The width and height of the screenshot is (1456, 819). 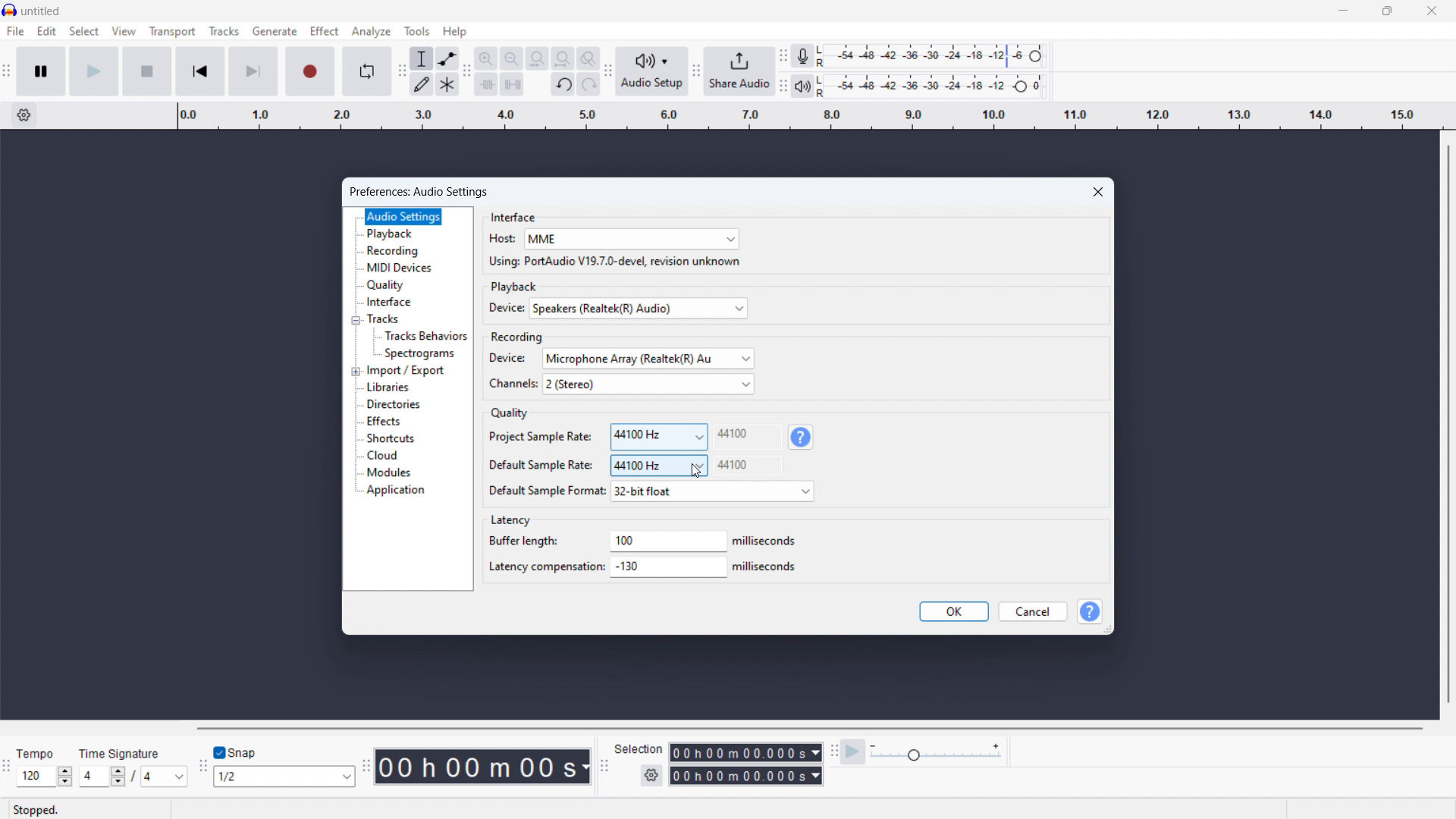 I want to click on audio setup toolbar, so click(x=607, y=71).